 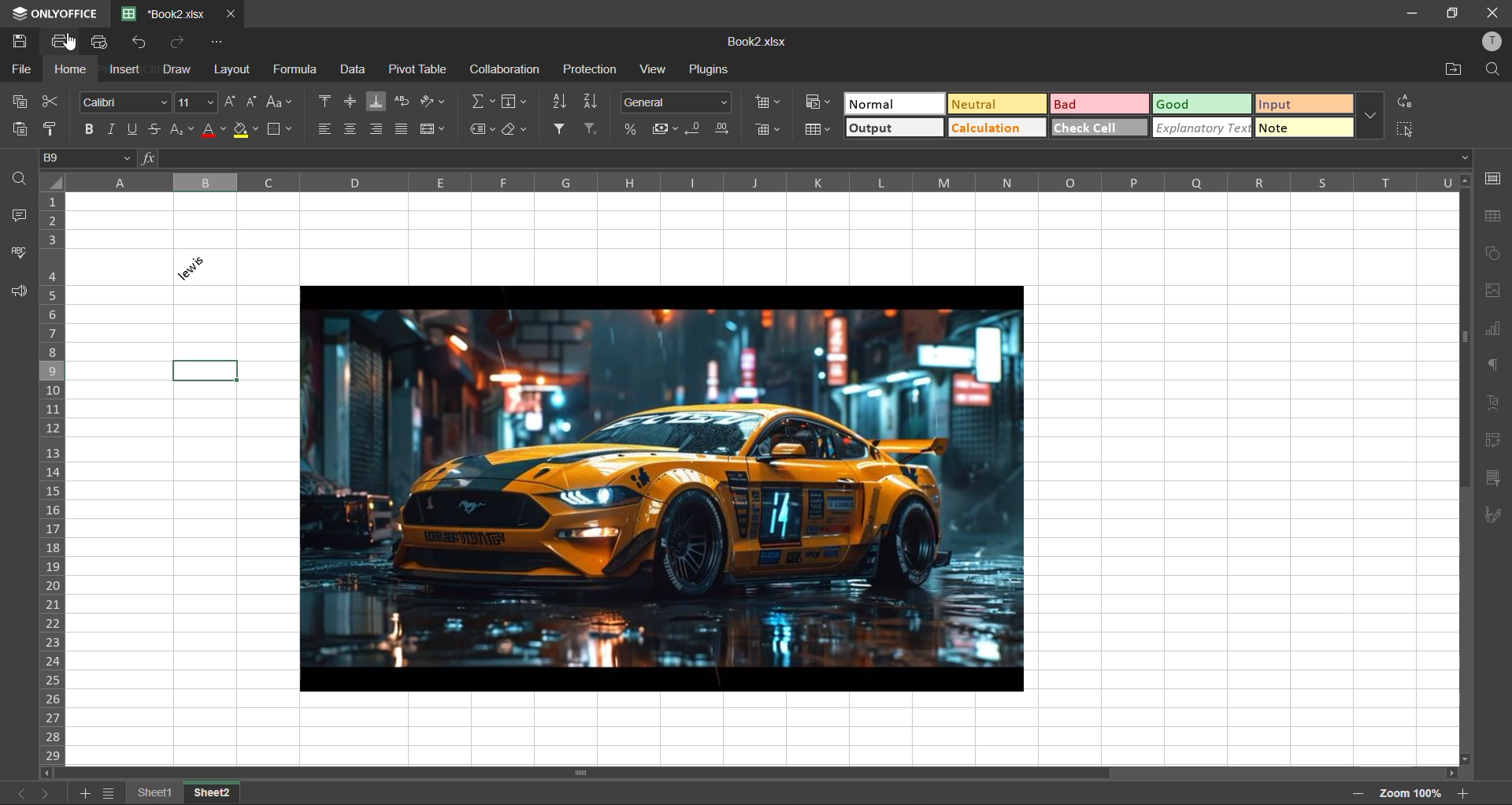 What do you see at coordinates (558, 130) in the screenshot?
I see `filter` at bounding box center [558, 130].